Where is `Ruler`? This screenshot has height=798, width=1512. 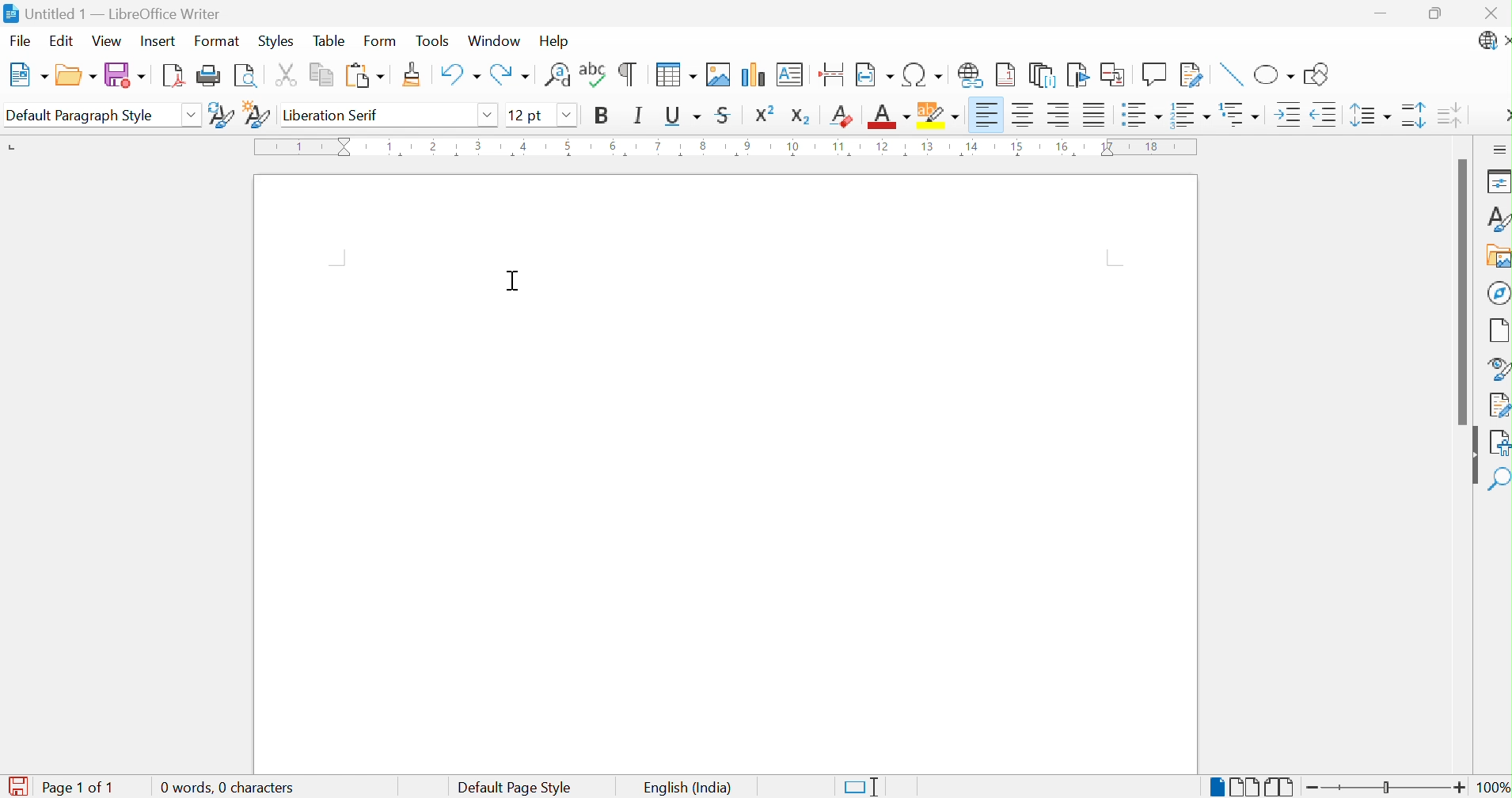
Ruler is located at coordinates (724, 149).